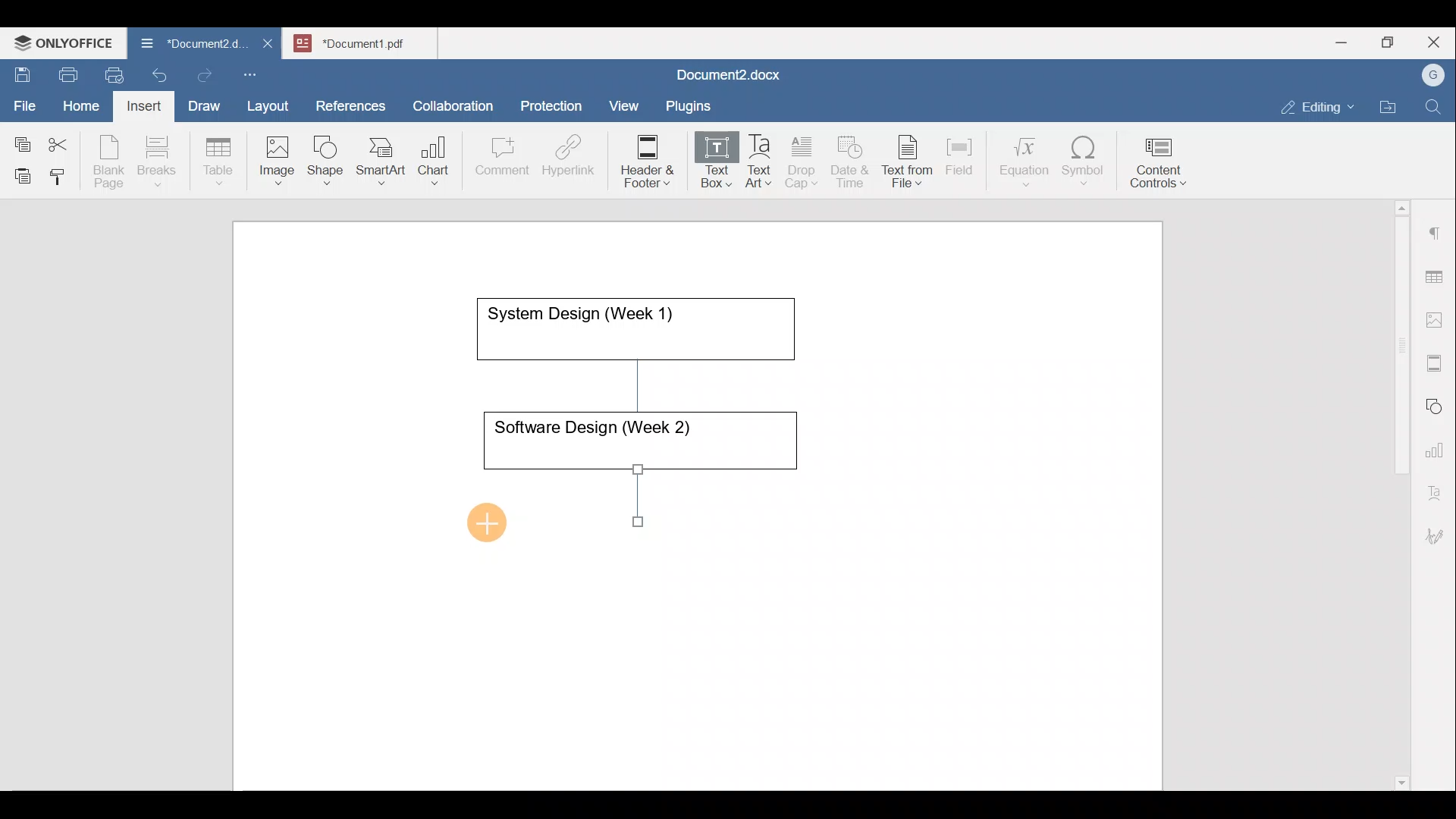 This screenshot has height=819, width=1456. Describe the element at coordinates (111, 162) in the screenshot. I see `Blank page` at that location.